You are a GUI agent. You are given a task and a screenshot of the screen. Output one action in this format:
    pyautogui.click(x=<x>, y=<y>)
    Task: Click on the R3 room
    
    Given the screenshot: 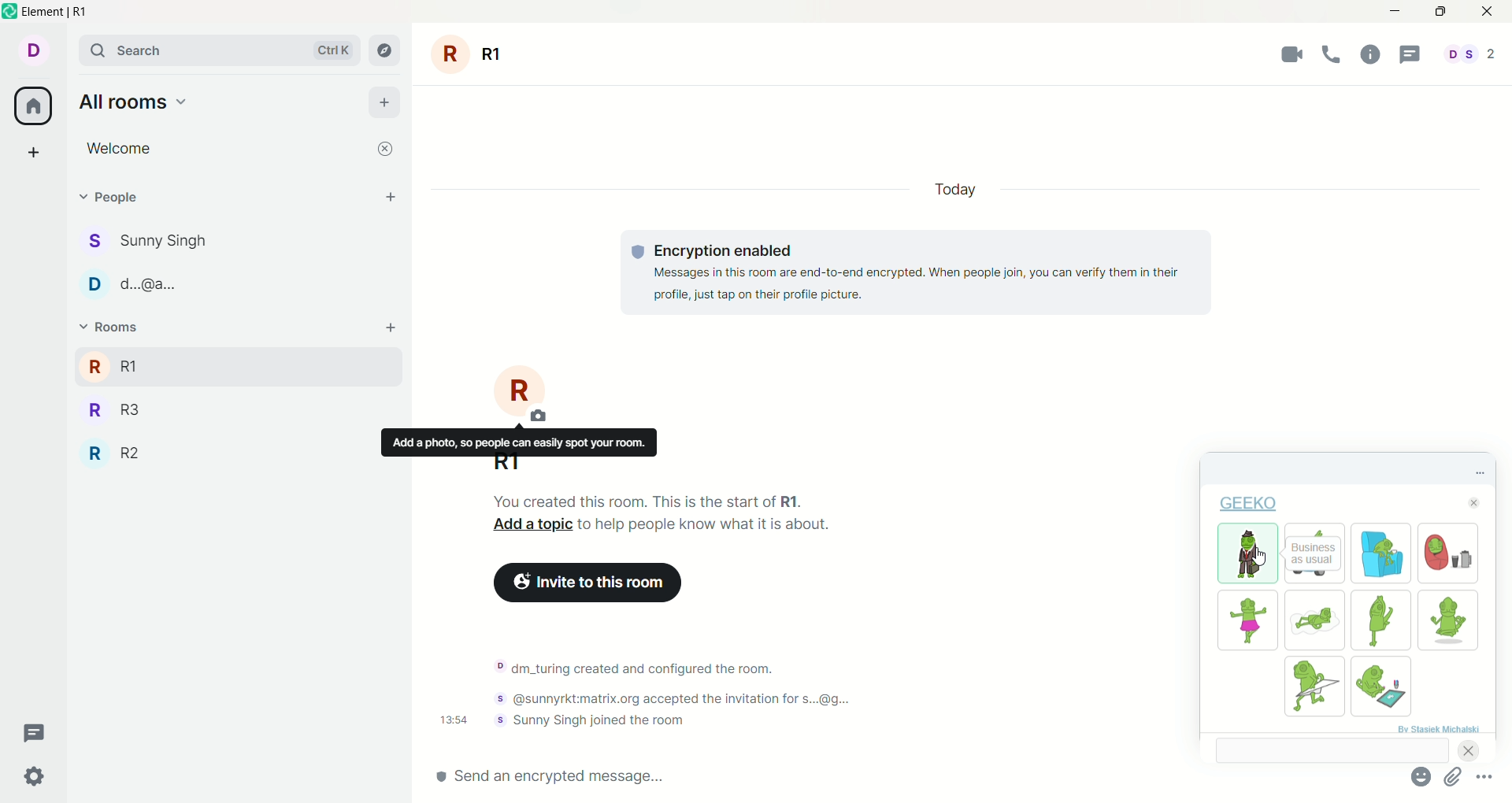 What is the action you would take?
    pyautogui.click(x=115, y=410)
    